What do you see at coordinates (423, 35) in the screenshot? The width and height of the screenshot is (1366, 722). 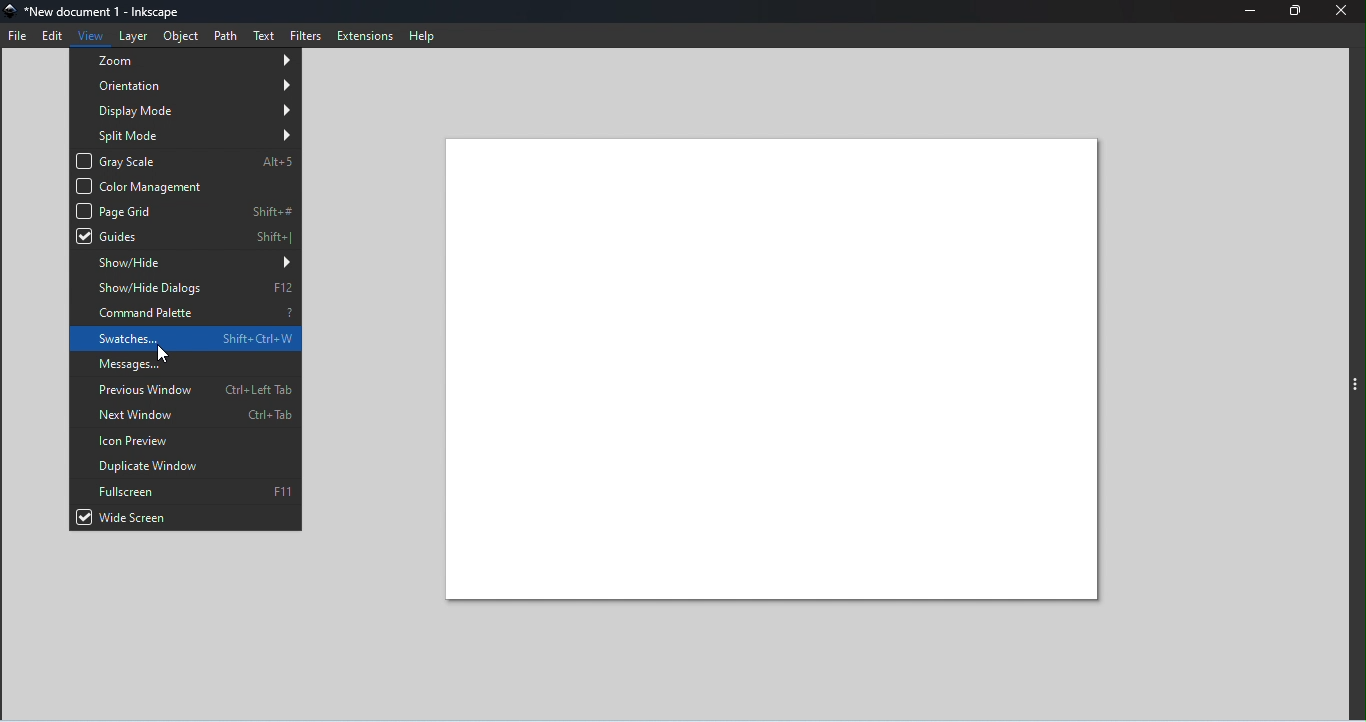 I see `Help` at bounding box center [423, 35].